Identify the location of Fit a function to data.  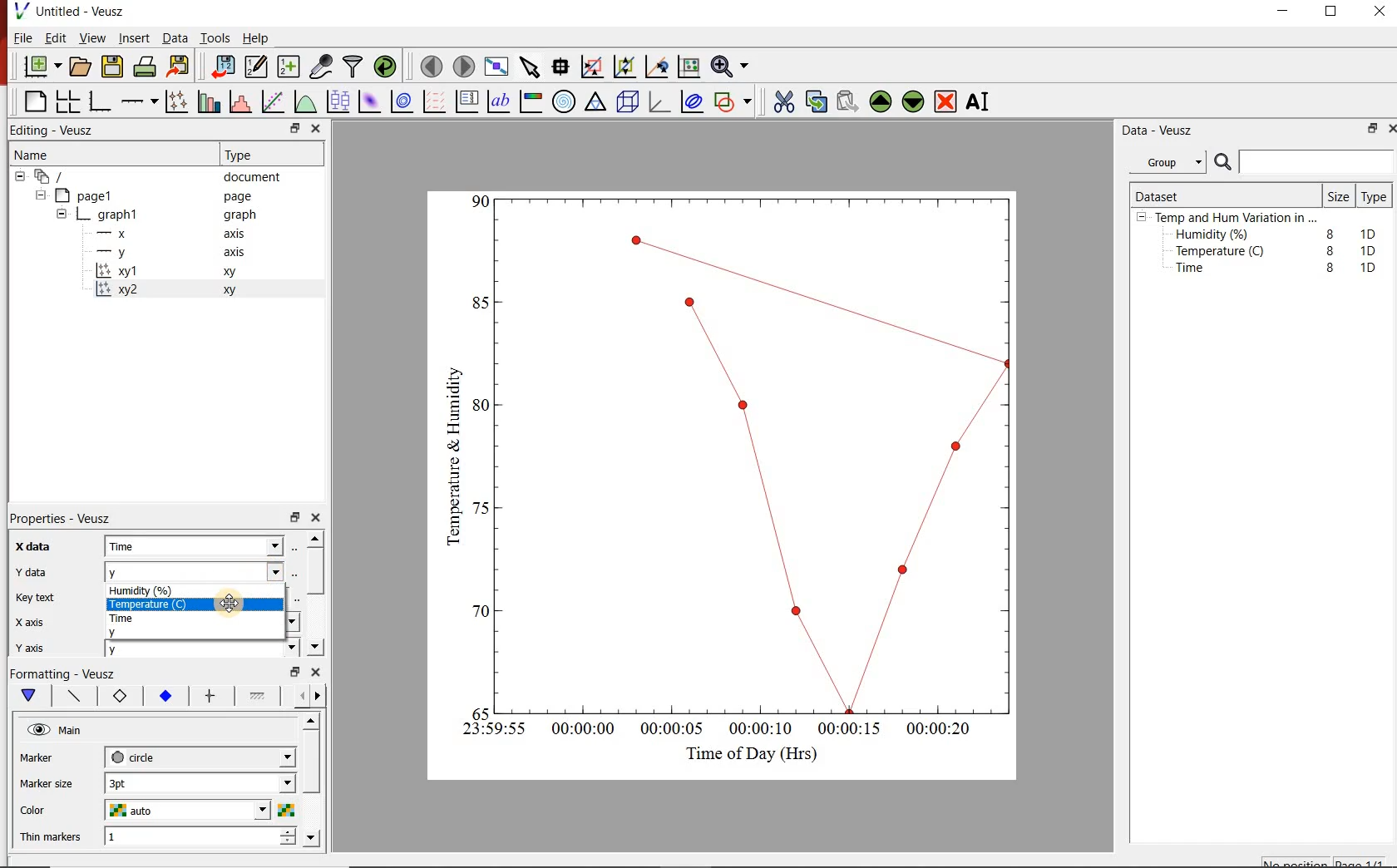
(274, 101).